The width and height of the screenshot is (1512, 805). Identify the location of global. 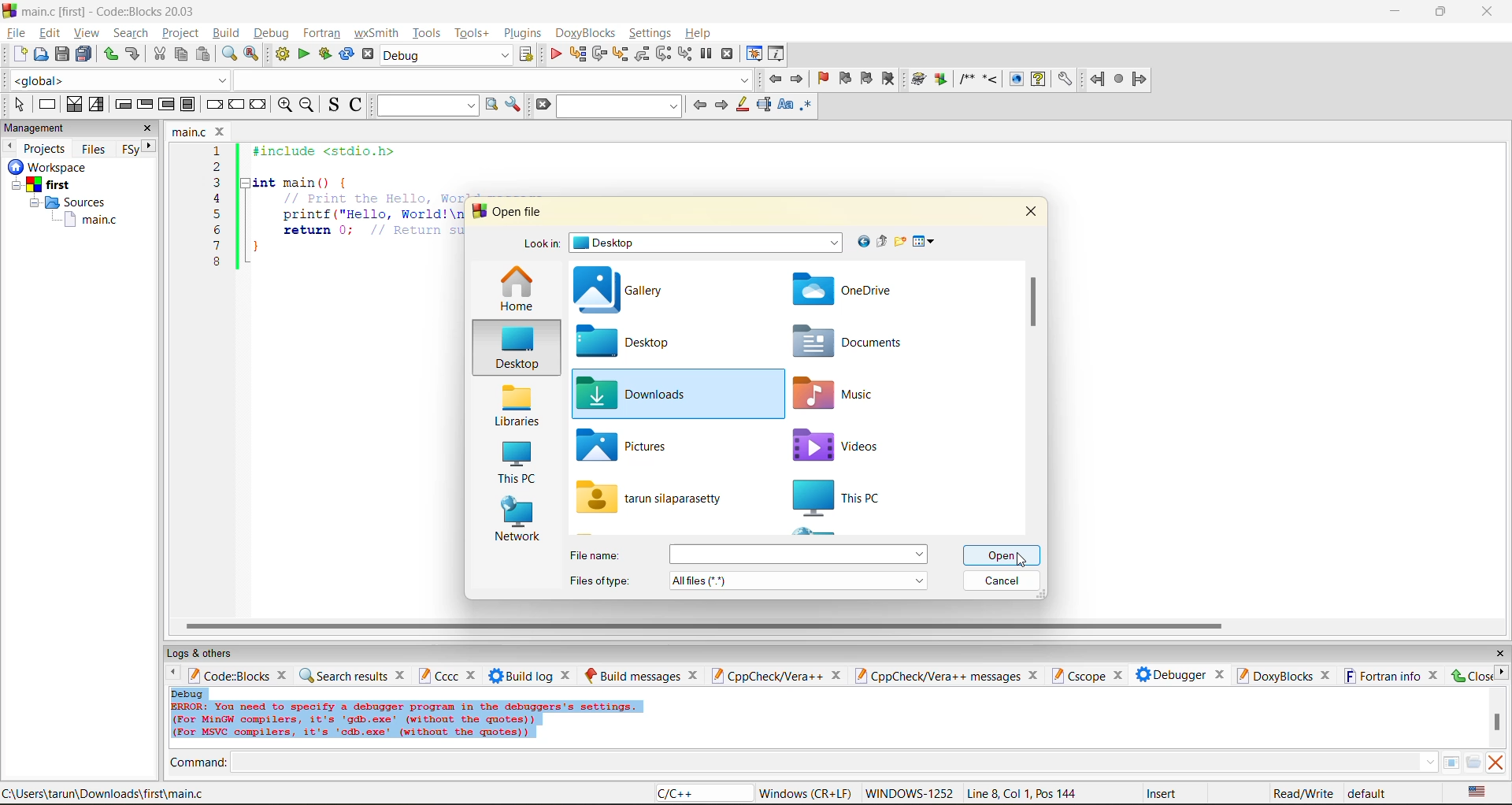
(117, 80).